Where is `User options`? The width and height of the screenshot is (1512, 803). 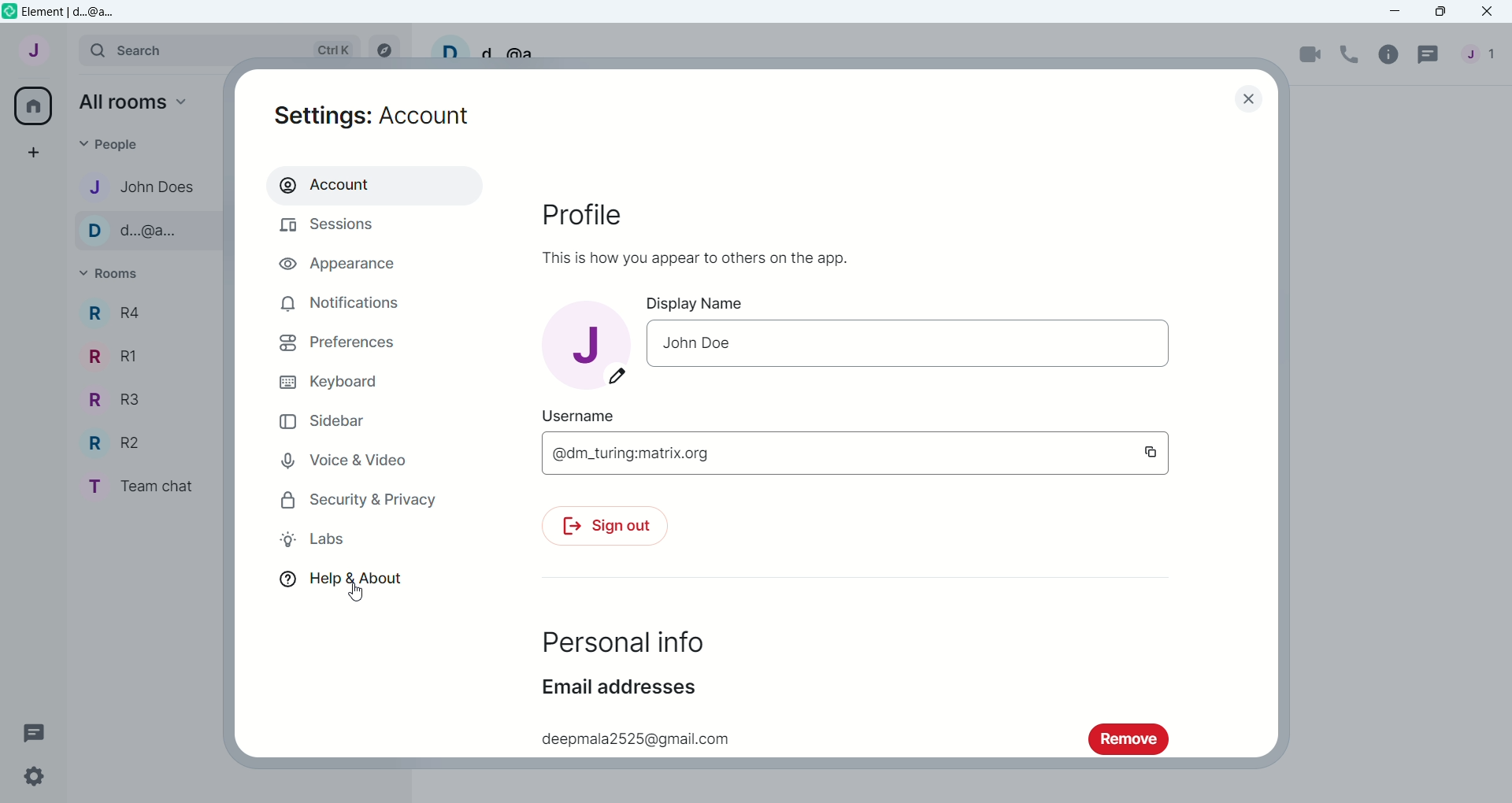 User options is located at coordinates (31, 54).